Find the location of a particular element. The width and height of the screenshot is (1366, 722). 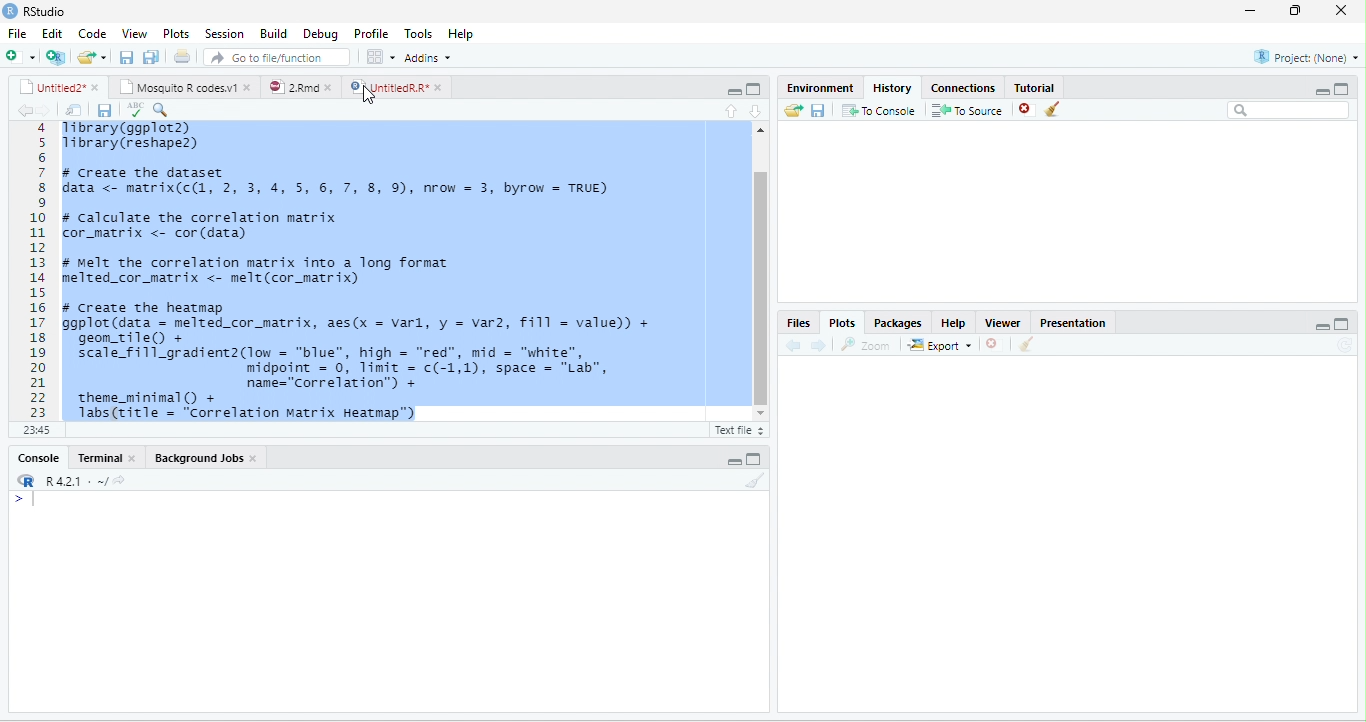

save is located at coordinates (817, 110).